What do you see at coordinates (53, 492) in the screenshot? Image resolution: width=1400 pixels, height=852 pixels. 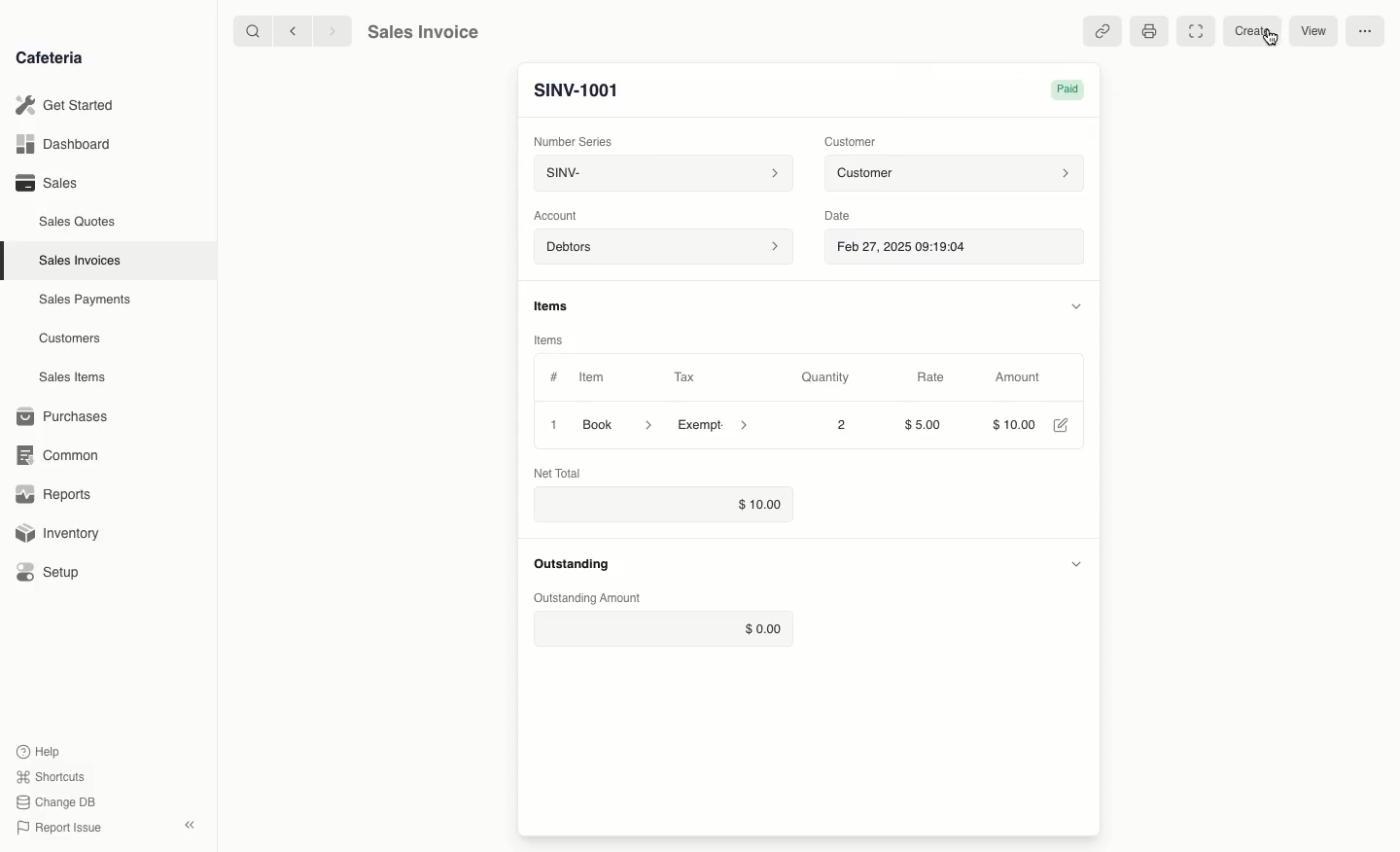 I see `Reports` at bounding box center [53, 492].